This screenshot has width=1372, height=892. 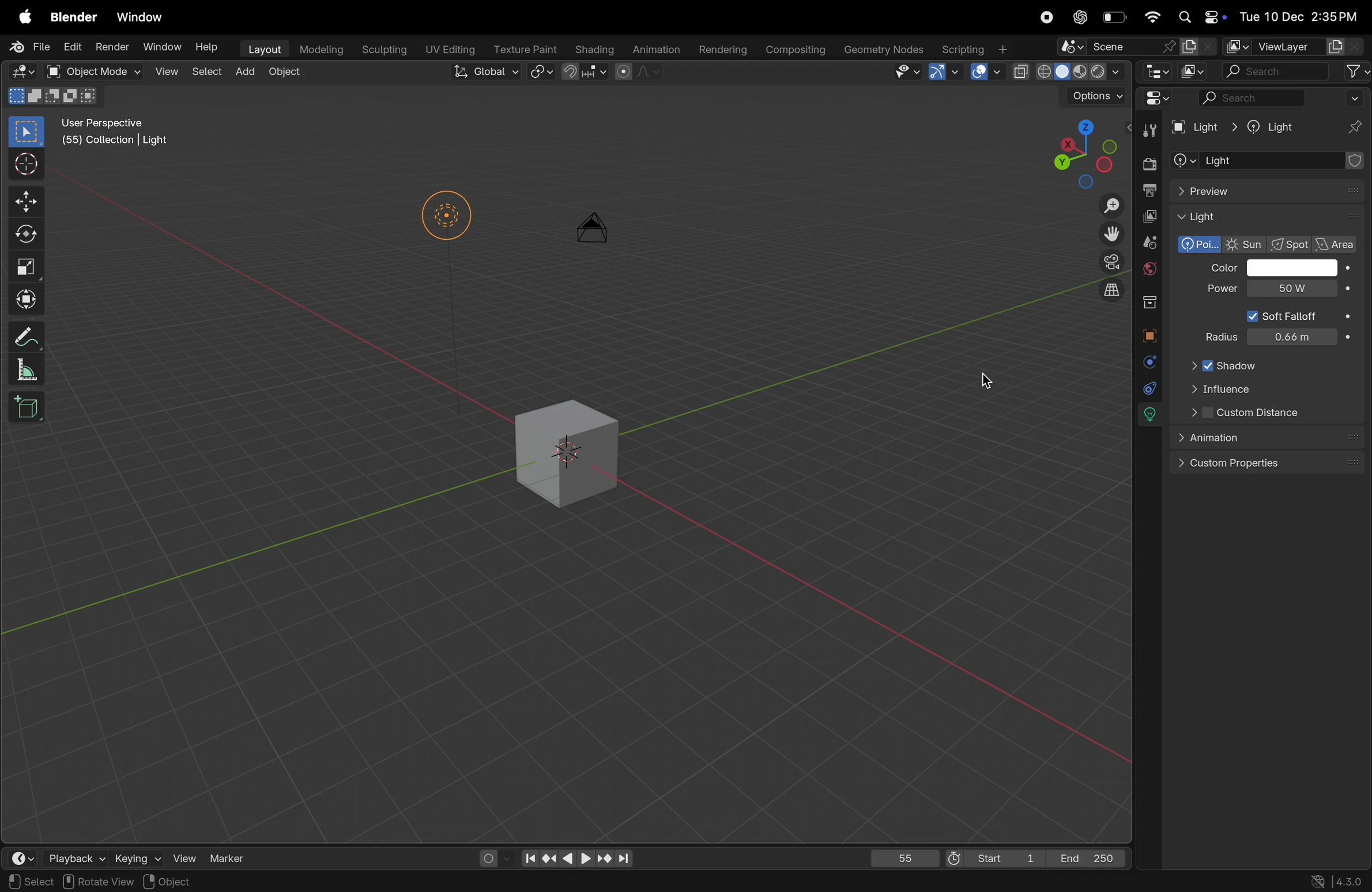 I want to click on playback contorls, so click(x=574, y=856).